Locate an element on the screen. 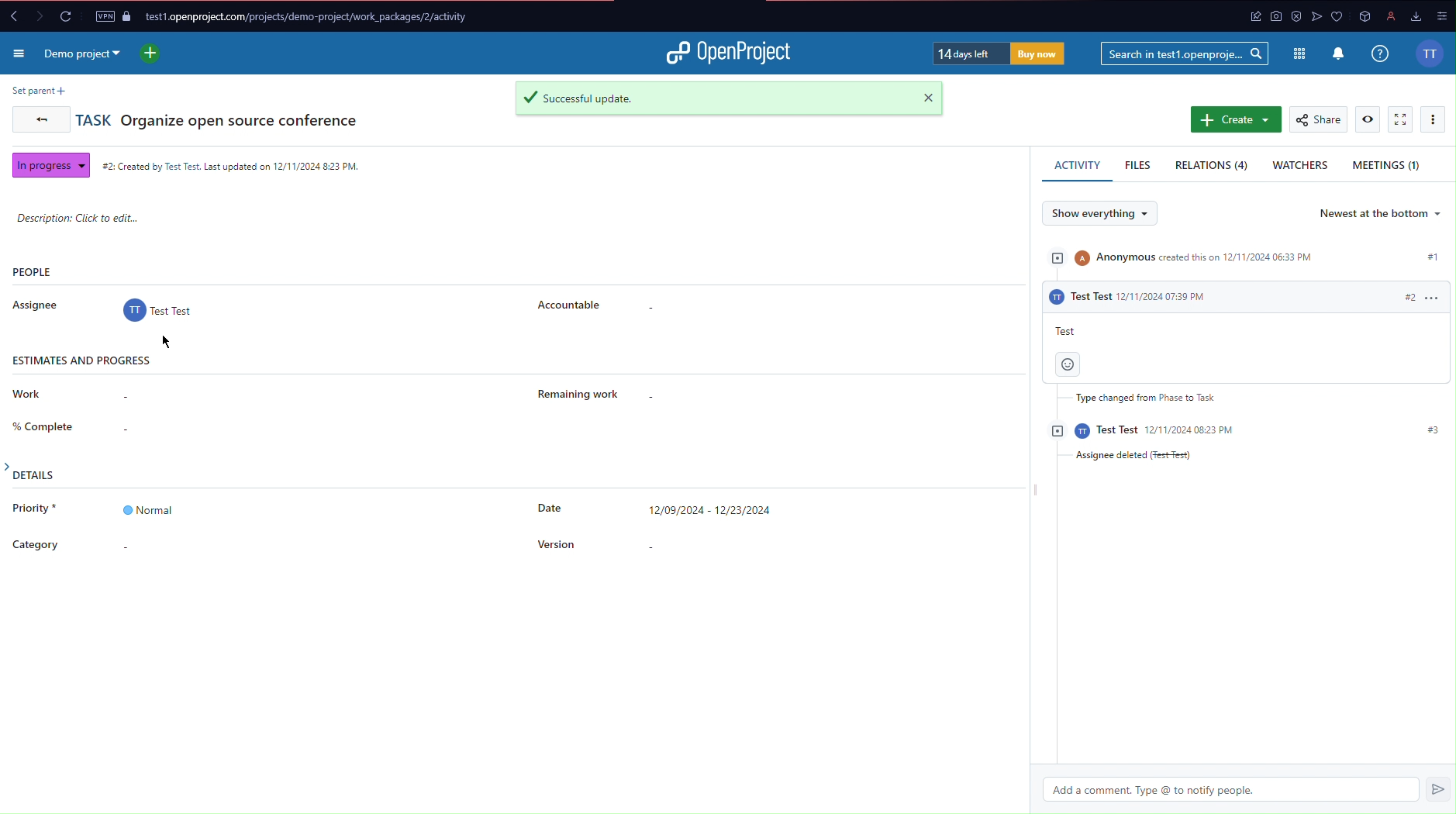 The width and height of the screenshot is (1456, 814). Info is located at coordinates (1382, 54).